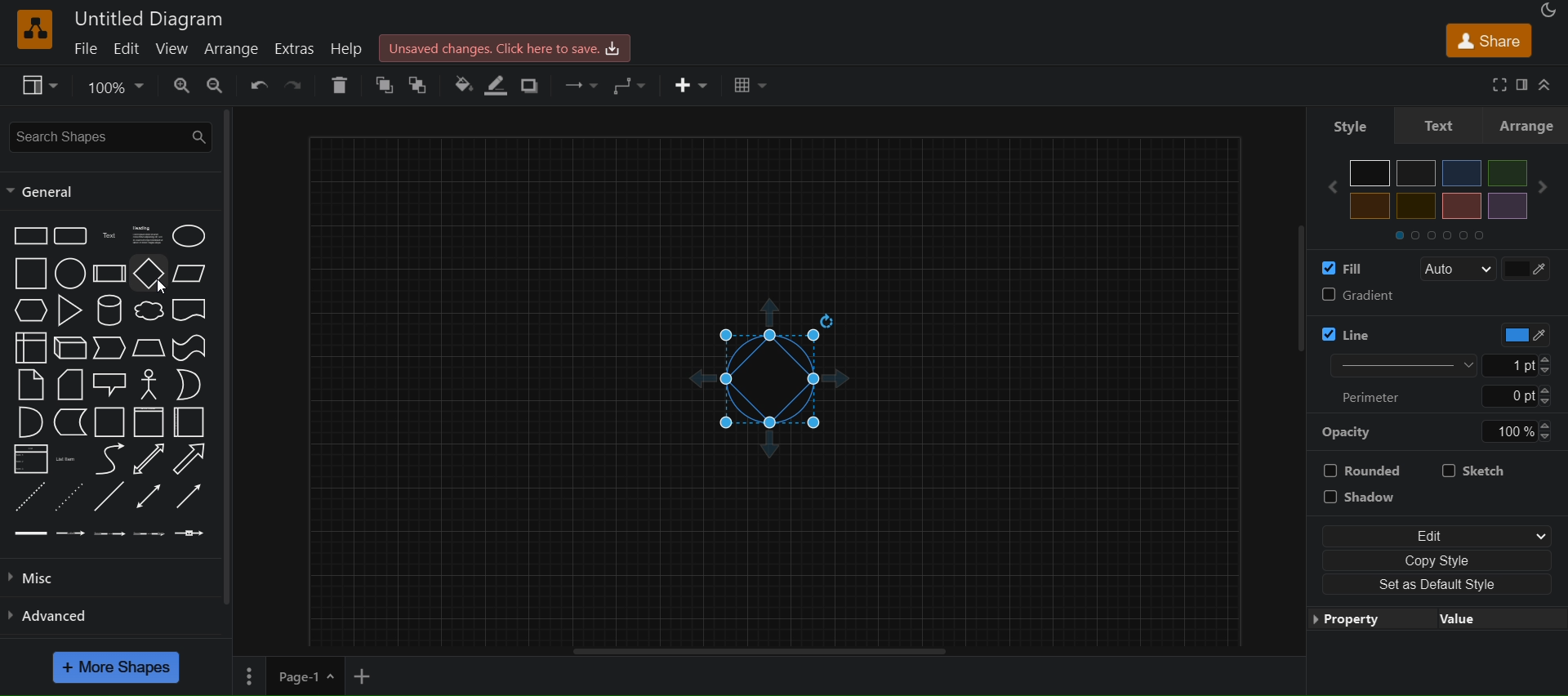 The width and height of the screenshot is (1568, 696). What do you see at coordinates (1370, 173) in the screenshot?
I see `black color` at bounding box center [1370, 173].